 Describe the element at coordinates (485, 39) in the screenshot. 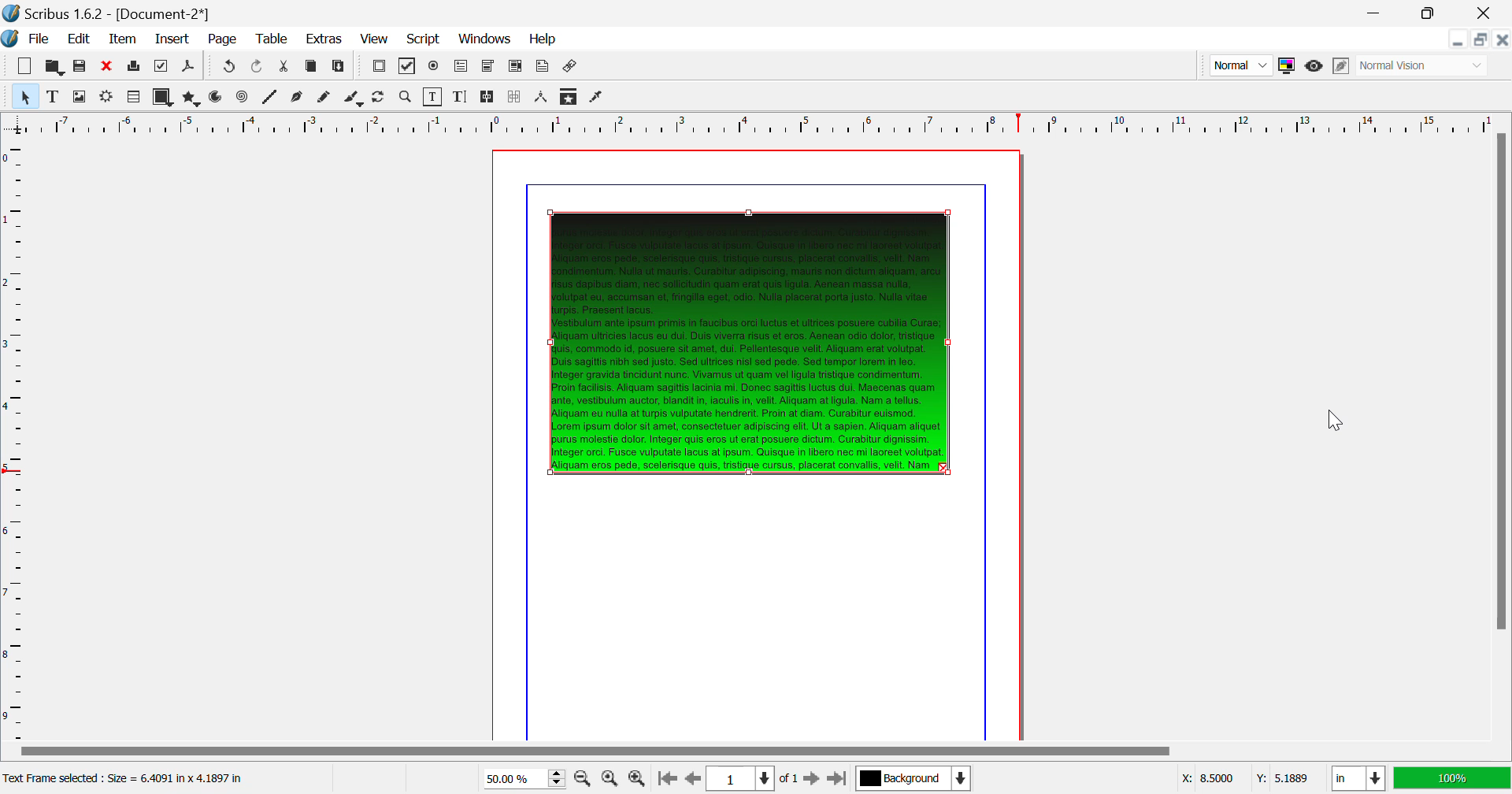

I see `Windows` at that location.